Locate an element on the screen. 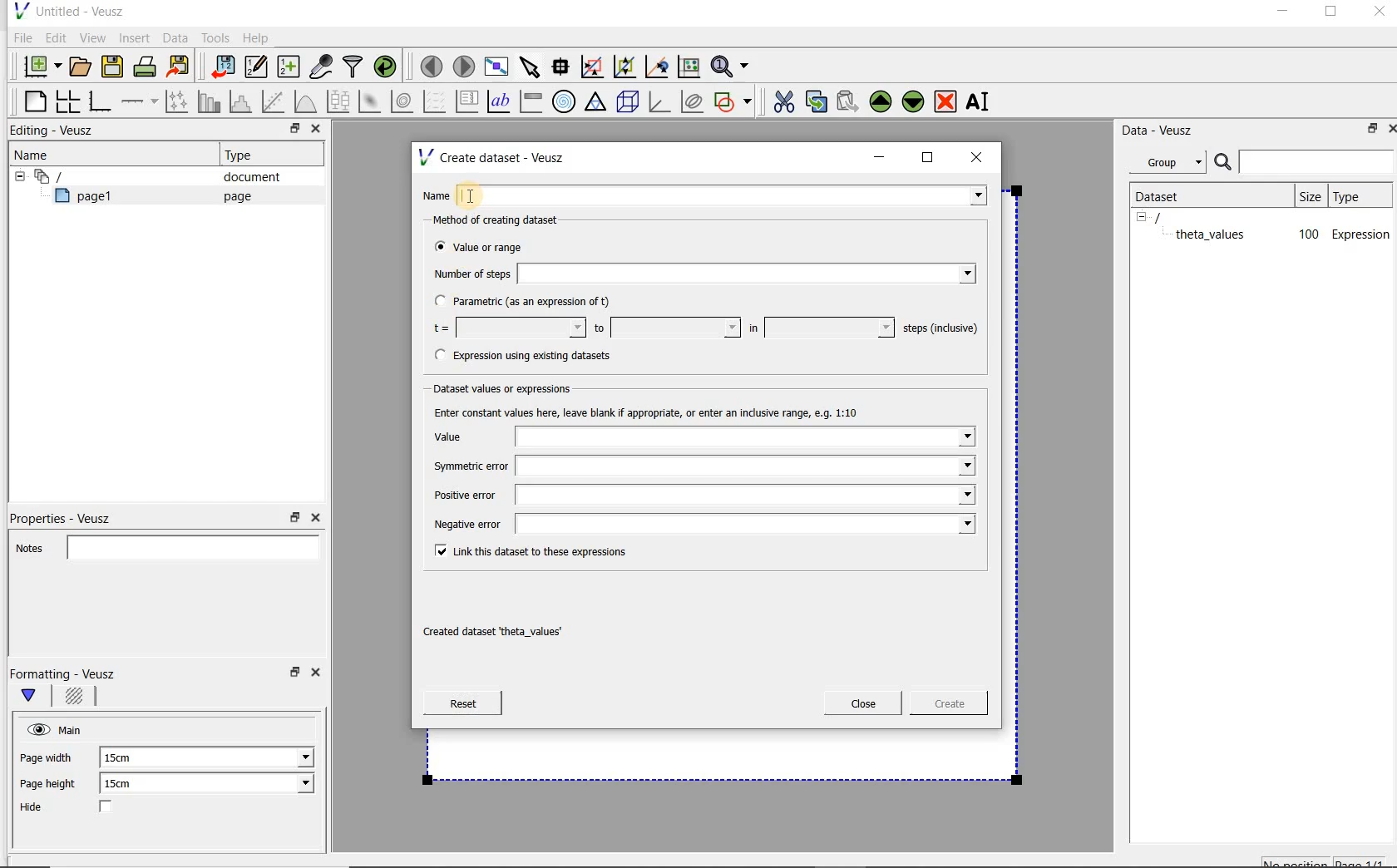  save the document is located at coordinates (116, 67).